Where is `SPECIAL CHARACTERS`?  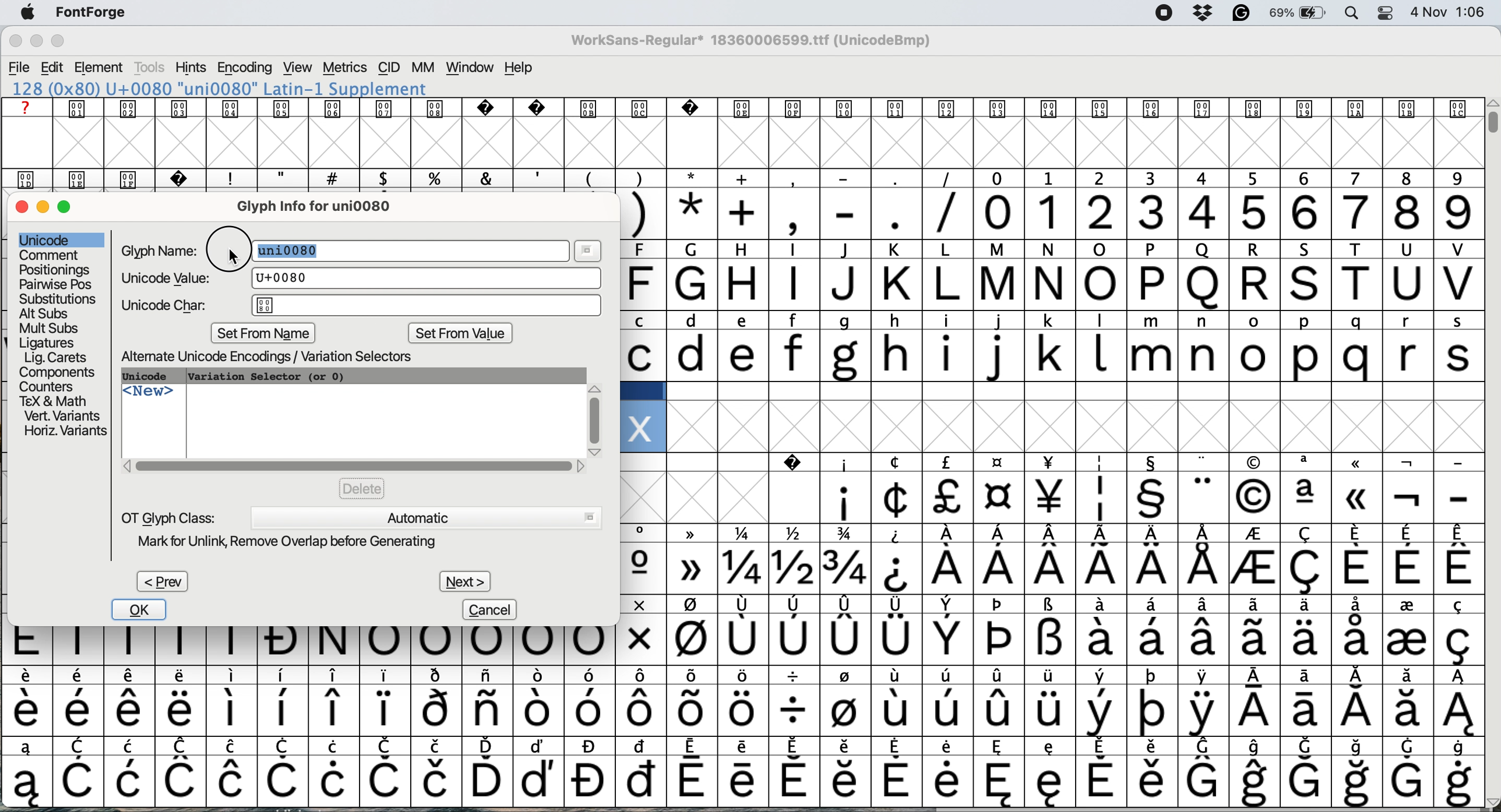
SPECIAL CHARACTERS is located at coordinates (1051, 463).